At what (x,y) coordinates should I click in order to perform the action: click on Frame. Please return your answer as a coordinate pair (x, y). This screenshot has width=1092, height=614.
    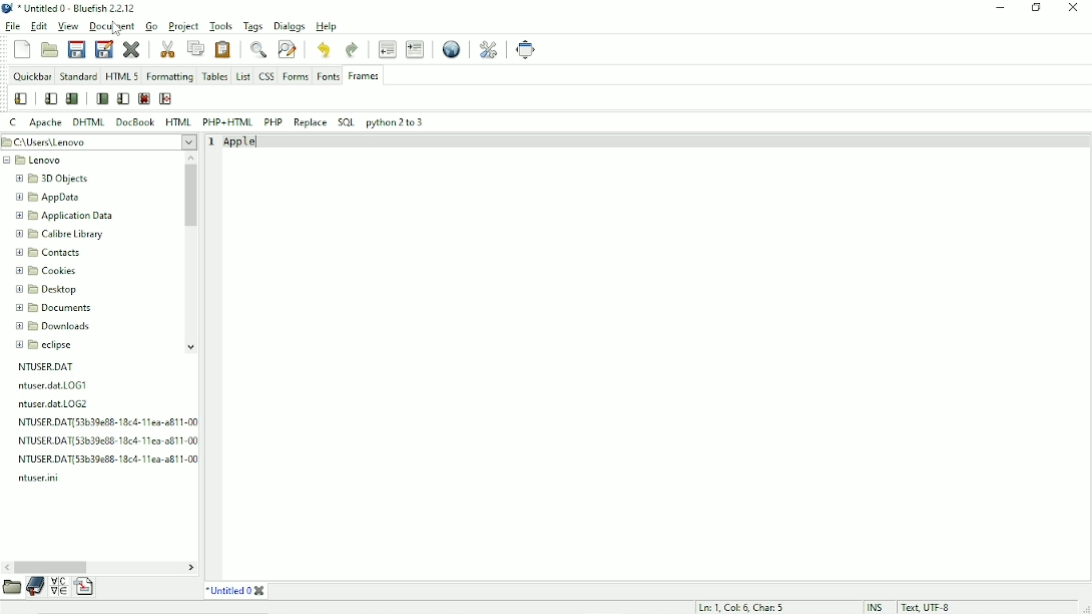
    Looking at the image, I should click on (72, 98).